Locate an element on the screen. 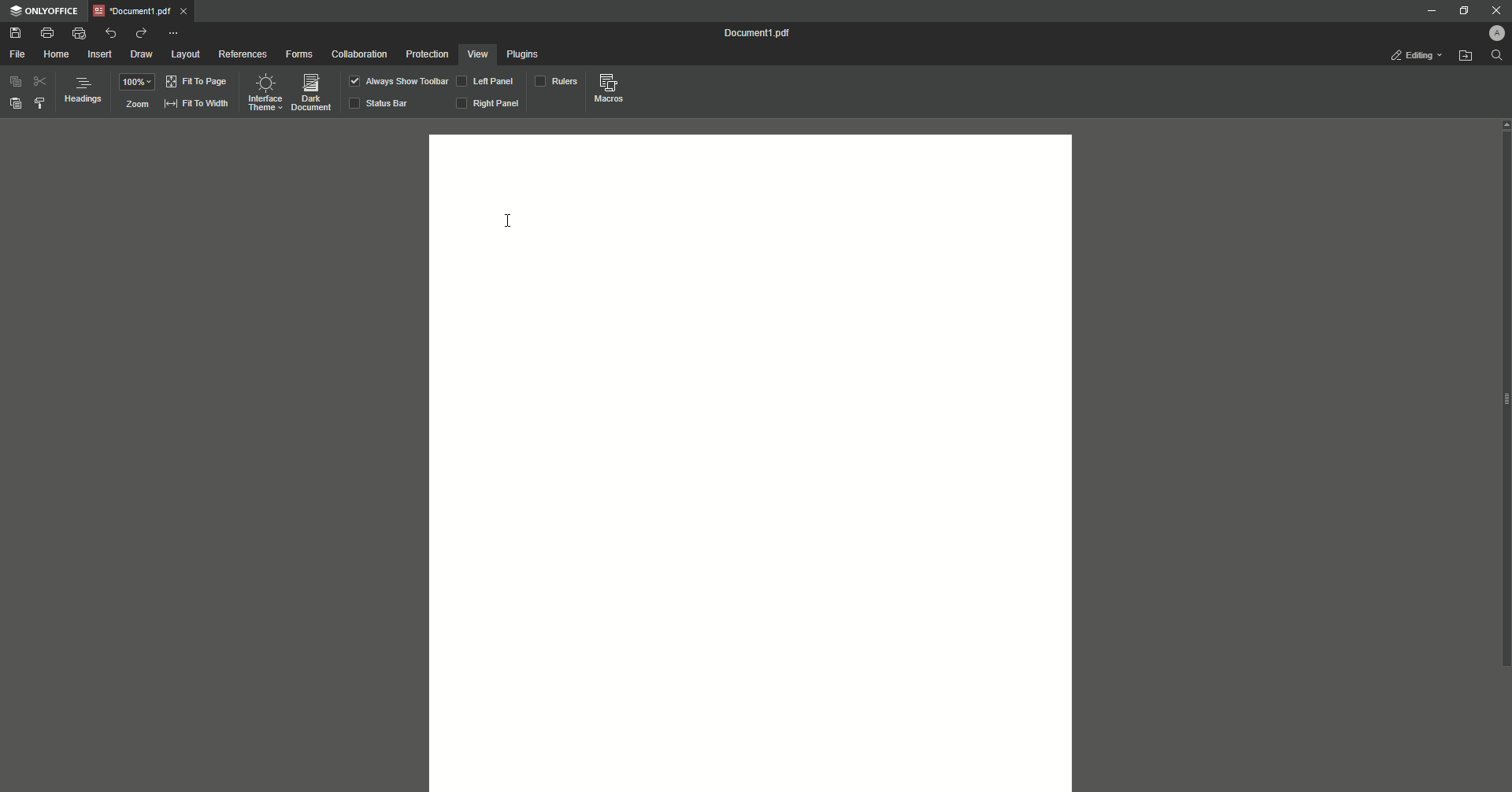 This screenshot has width=1512, height=792. Editing is located at coordinates (1408, 54).